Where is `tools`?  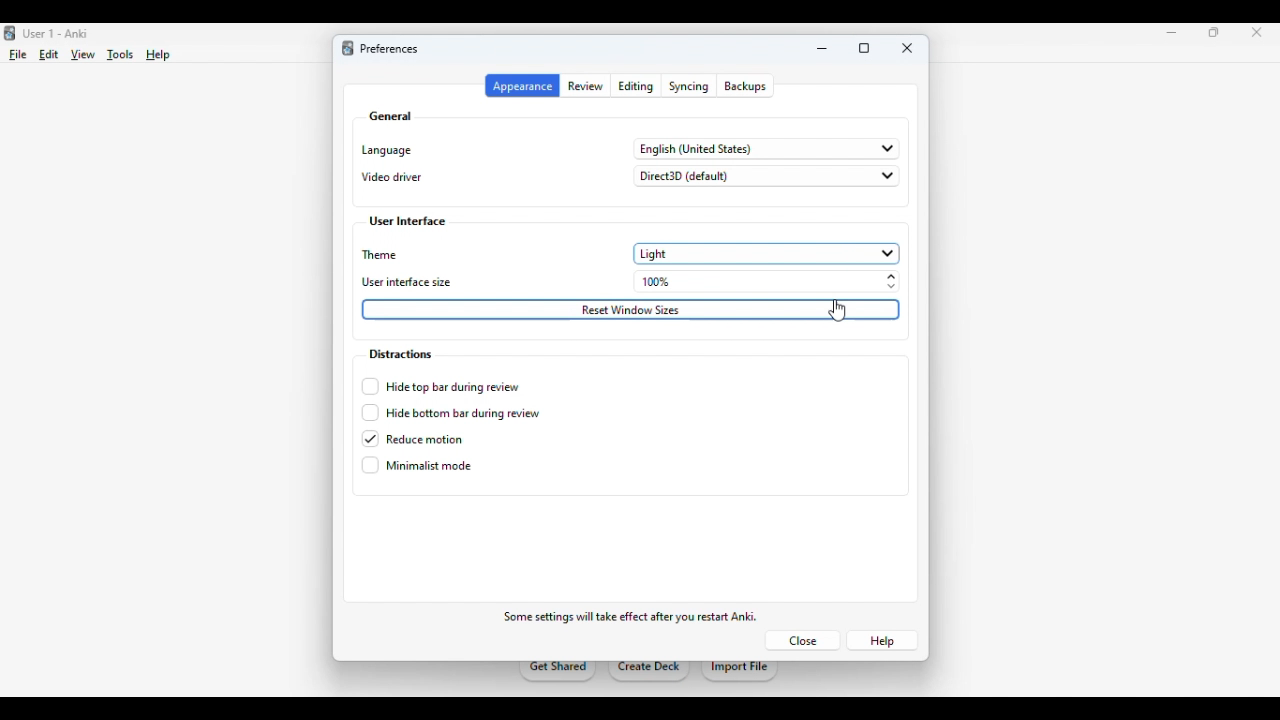
tools is located at coordinates (122, 55).